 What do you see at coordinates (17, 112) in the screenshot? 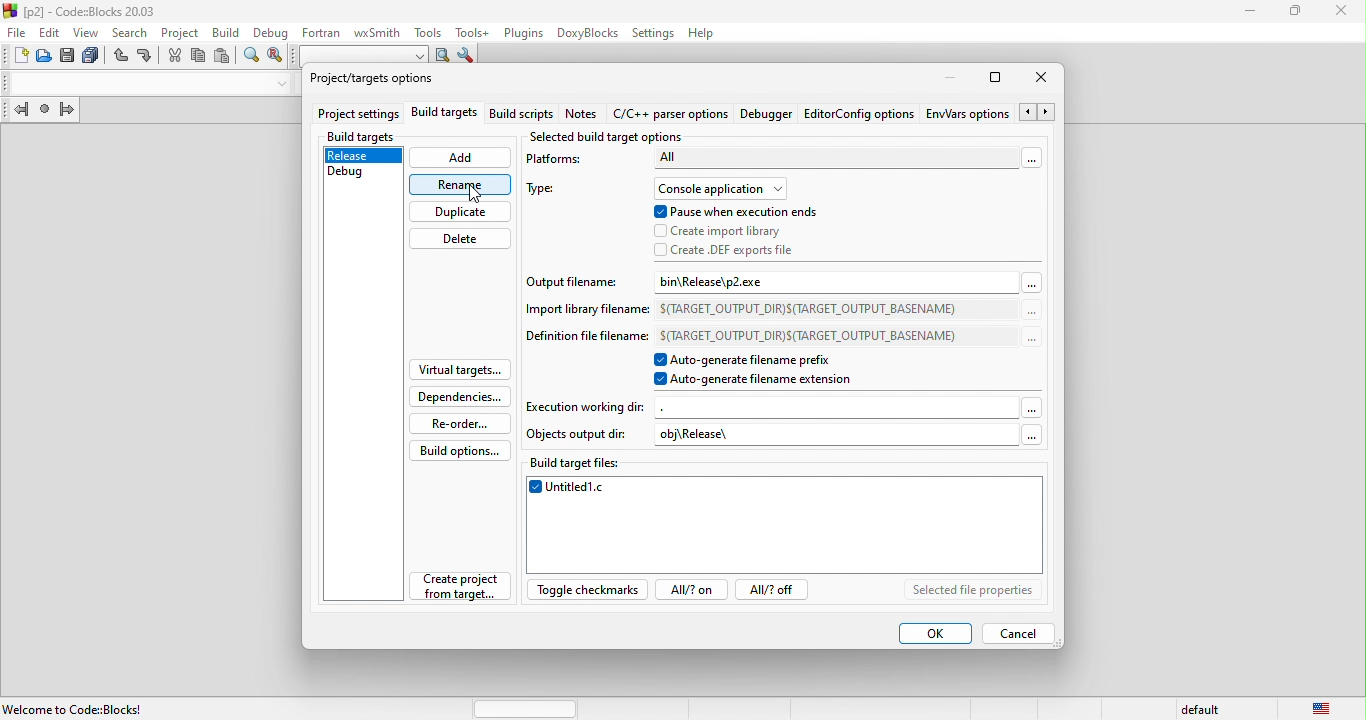
I see `jump back` at bounding box center [17, 112].